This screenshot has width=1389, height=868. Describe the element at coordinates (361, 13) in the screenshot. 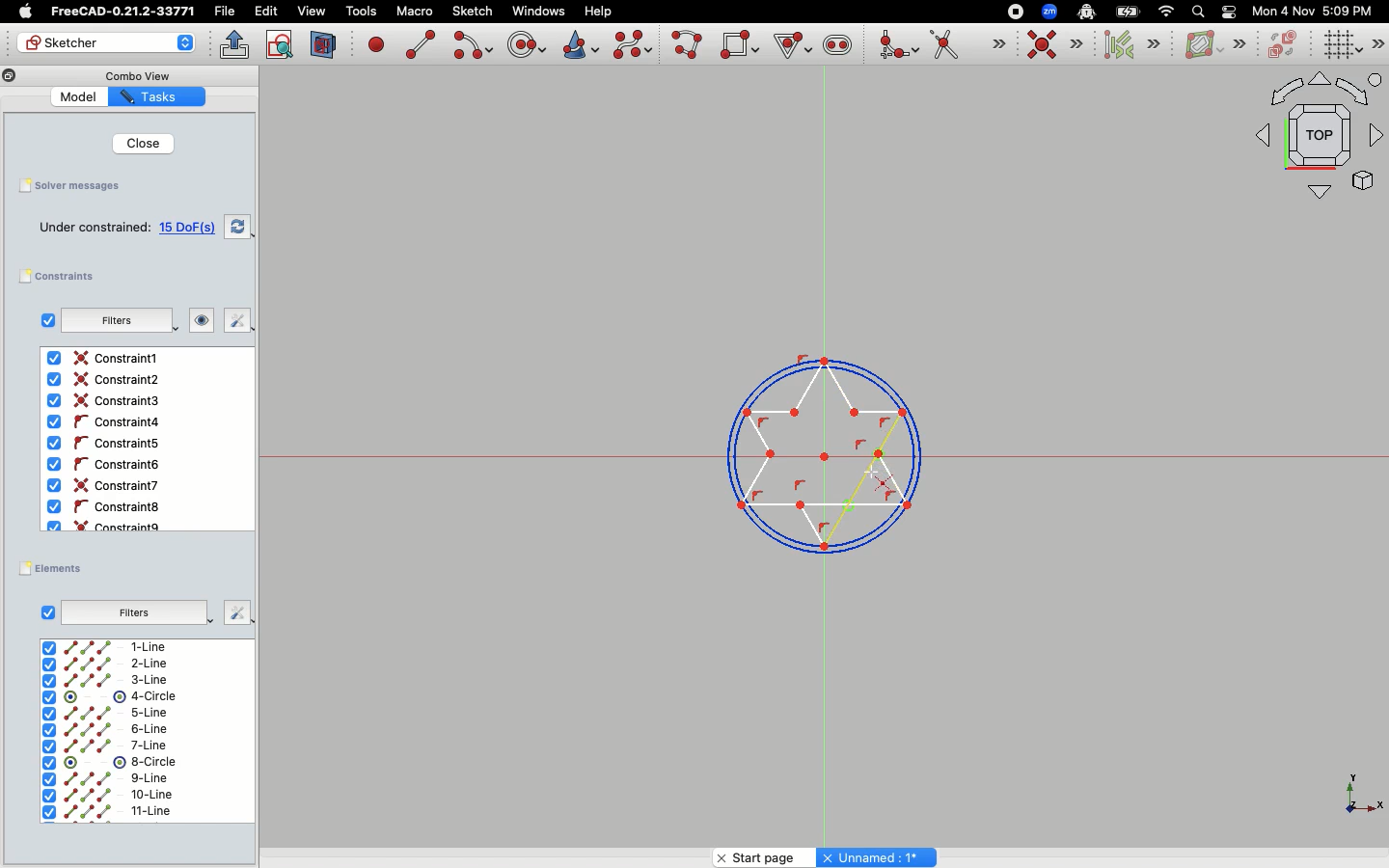

I see `Tools` at that location.